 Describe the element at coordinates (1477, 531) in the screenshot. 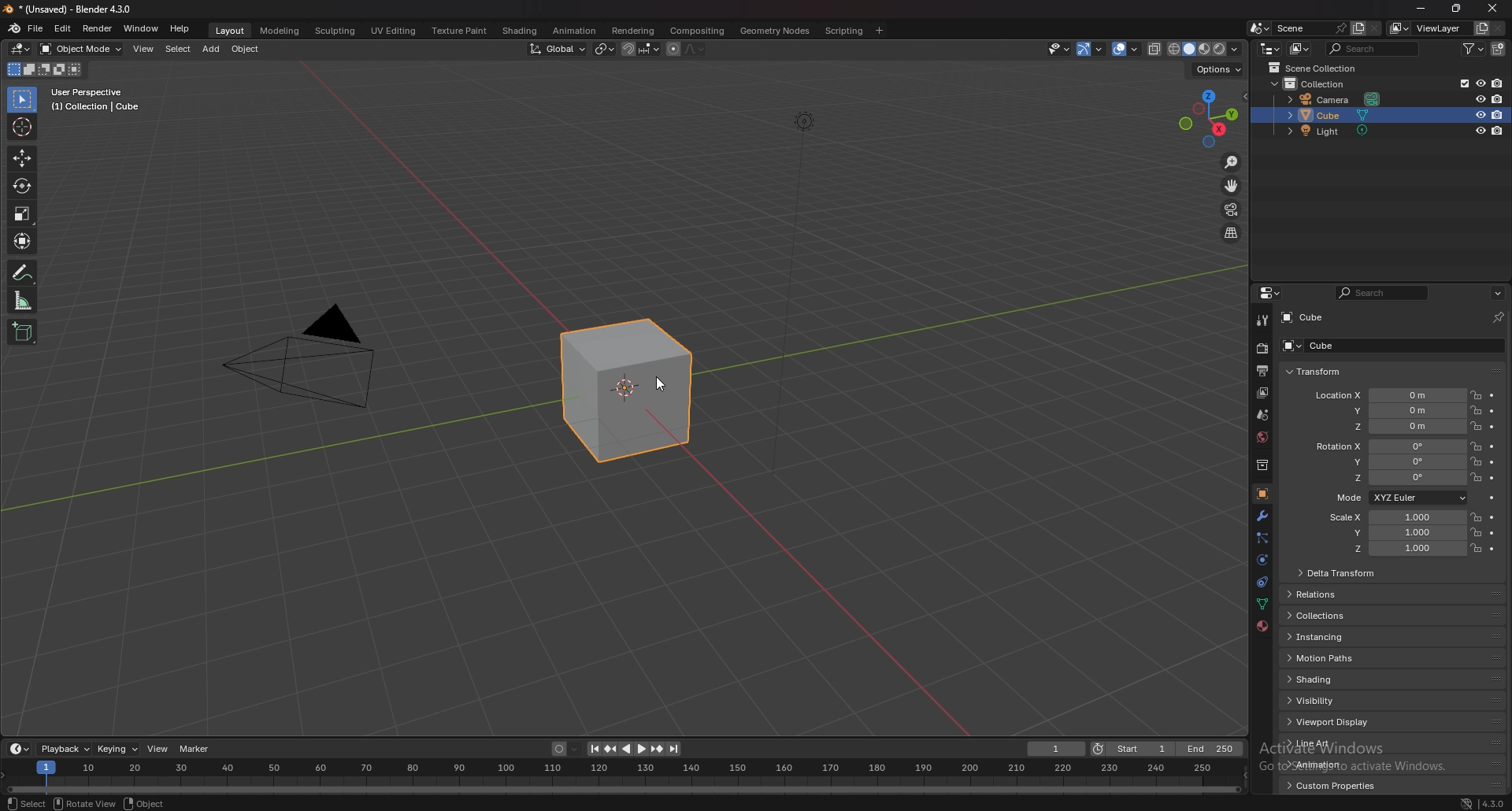

I see `lock location` at that location.